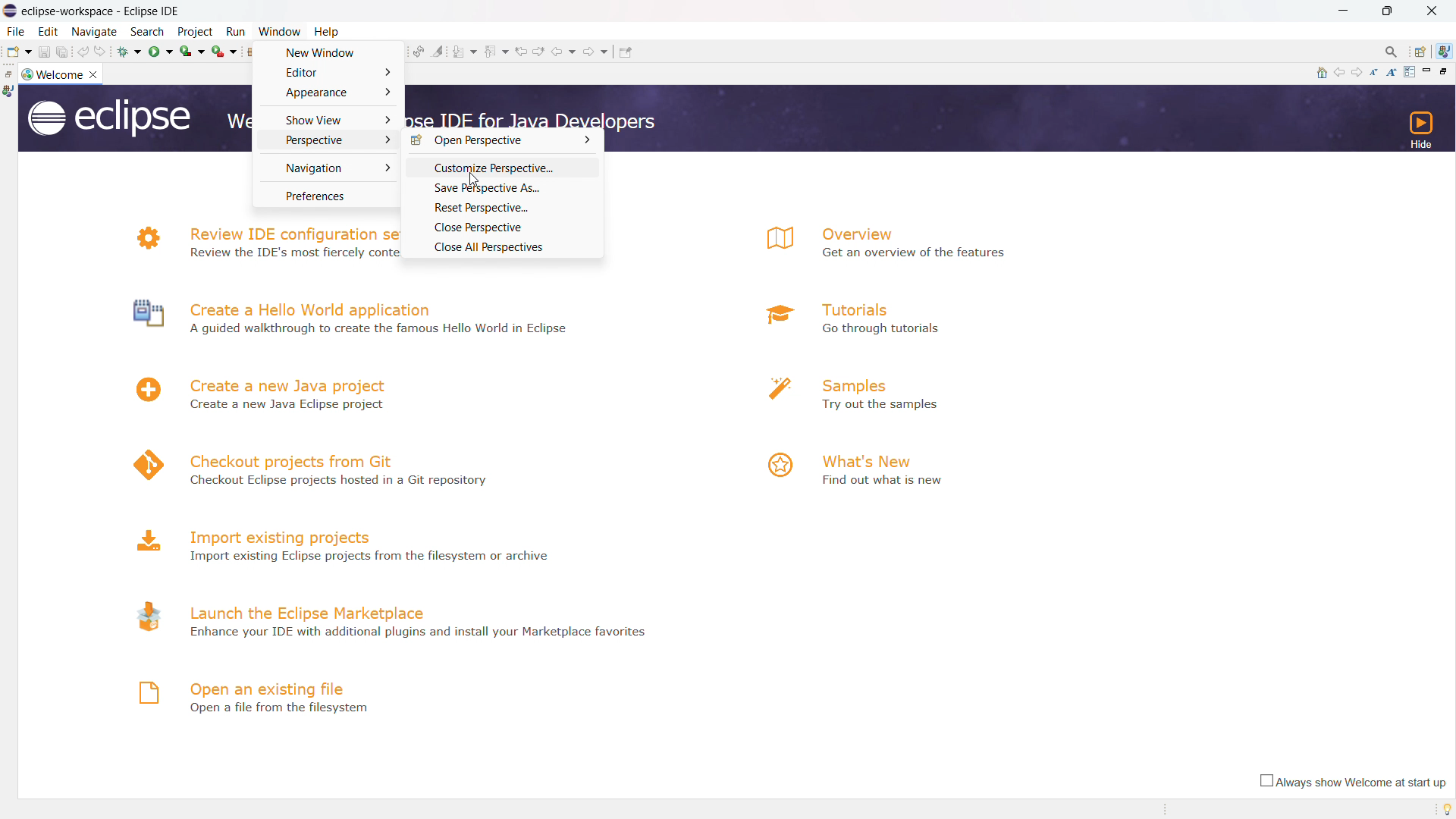 The height and width of the screenshot is (819, 1456). Describe the element at coordinates (326, 168) in the screenshot. I see `navigation` at that location.